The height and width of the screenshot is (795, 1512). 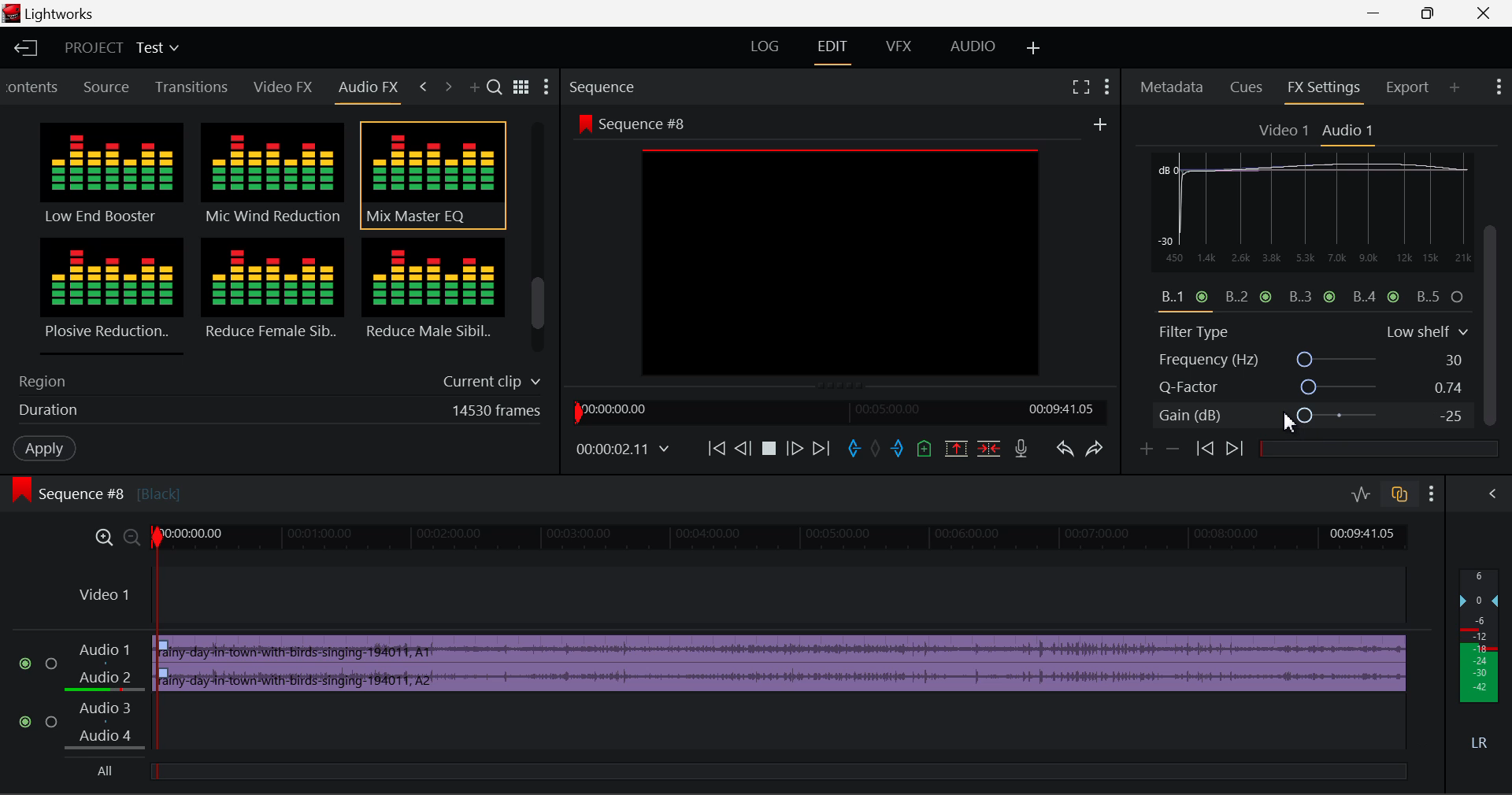 I want to click on Export, so click(x=1408, y=87).